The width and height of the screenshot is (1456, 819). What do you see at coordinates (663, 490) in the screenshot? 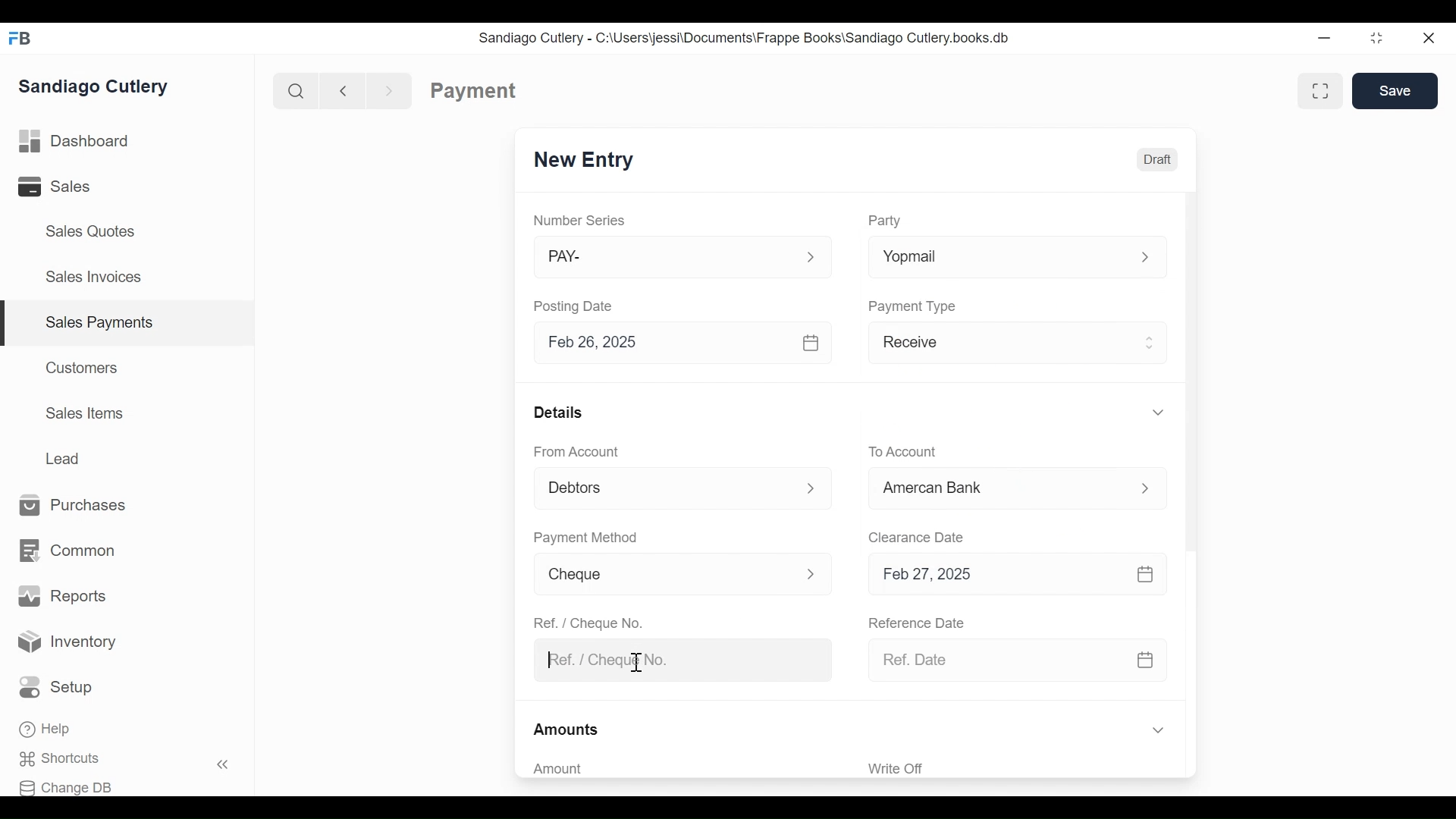
I see `Debtors` at bounding box center [663, 490].